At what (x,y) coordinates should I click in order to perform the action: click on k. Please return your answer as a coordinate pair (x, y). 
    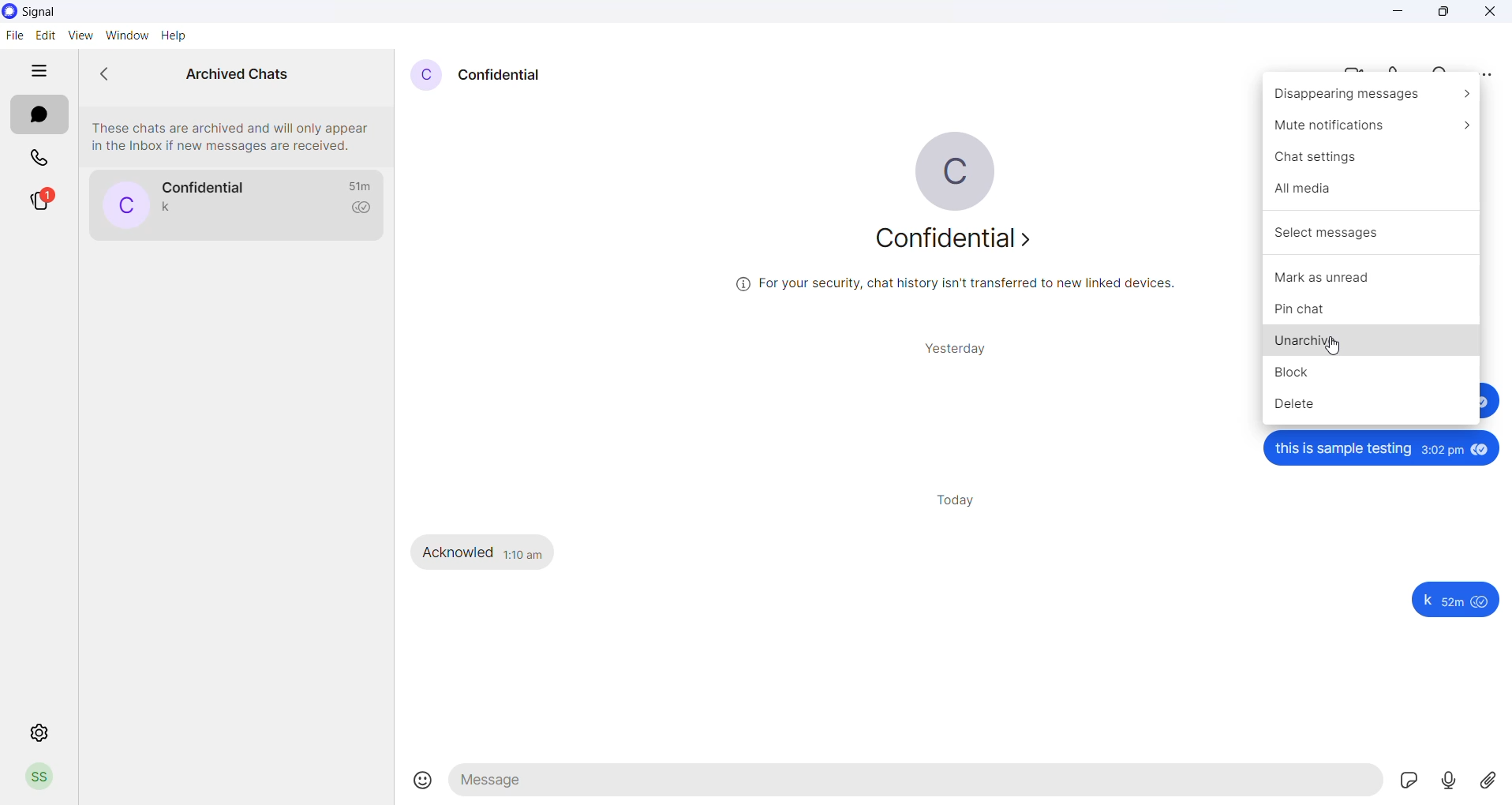
    Looking at the image, I should click on (1429, 603).